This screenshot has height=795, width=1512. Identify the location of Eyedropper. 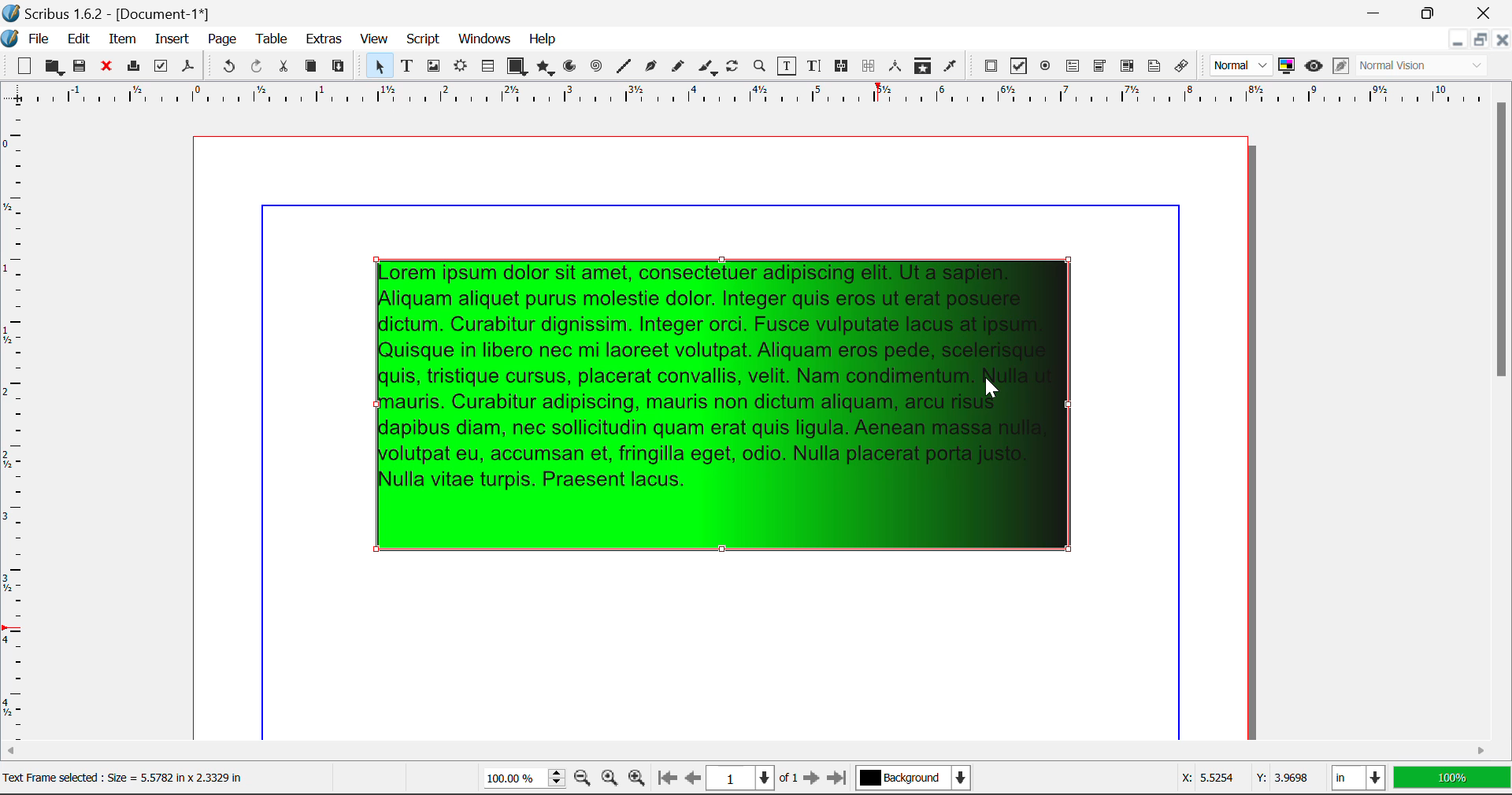
(950, 68).